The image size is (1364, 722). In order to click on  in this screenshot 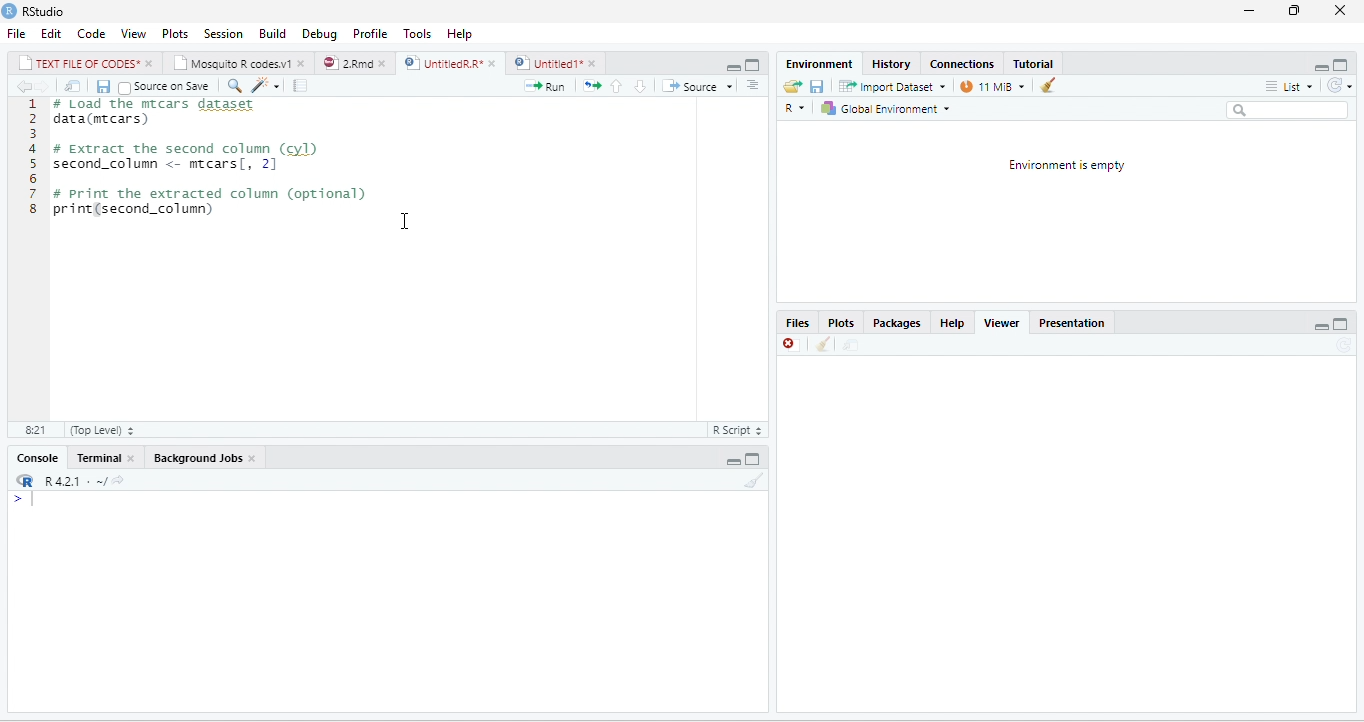, I will do `click(268, 32)`.